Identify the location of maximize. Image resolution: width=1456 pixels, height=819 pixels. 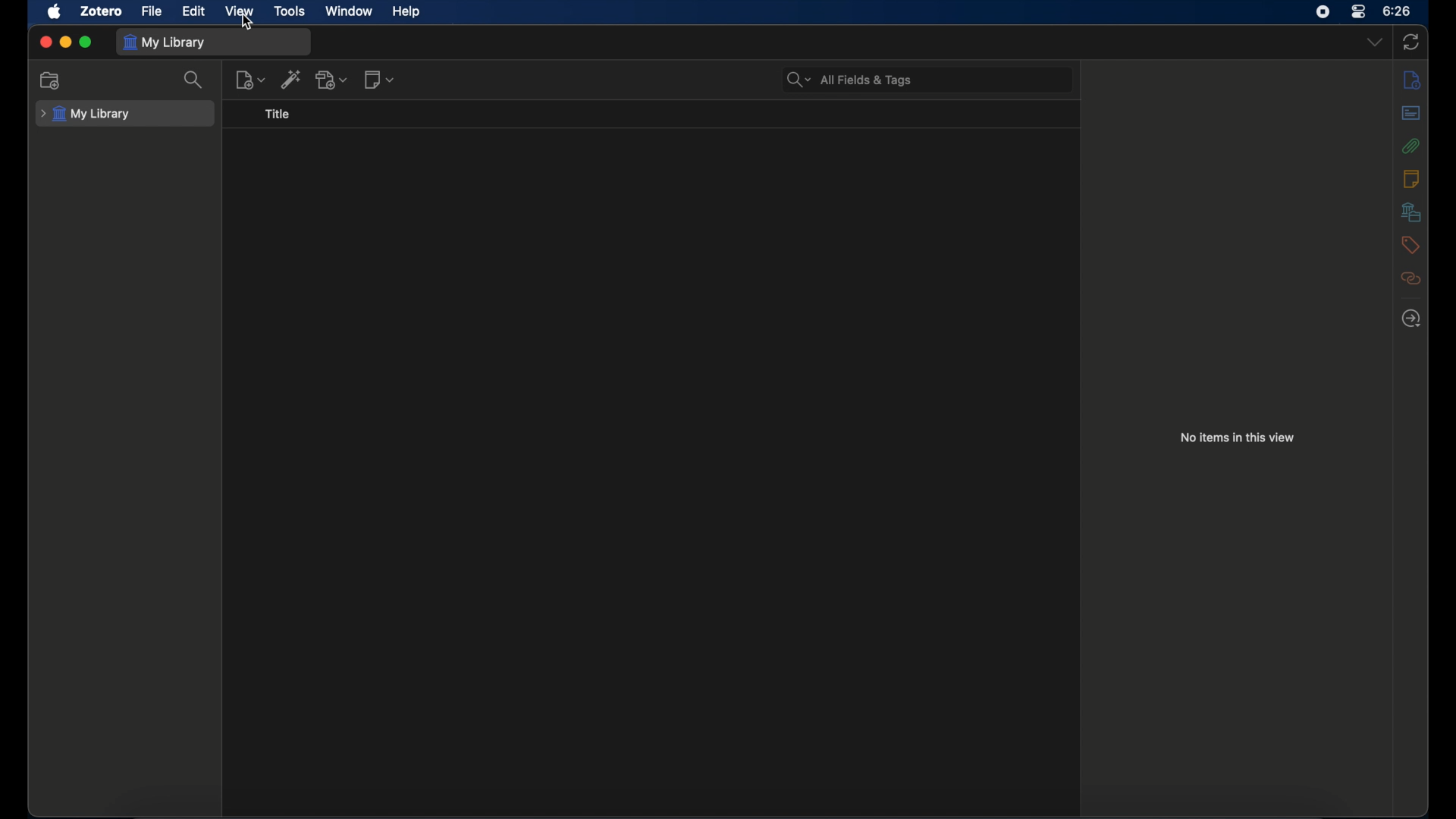
(86, 42).